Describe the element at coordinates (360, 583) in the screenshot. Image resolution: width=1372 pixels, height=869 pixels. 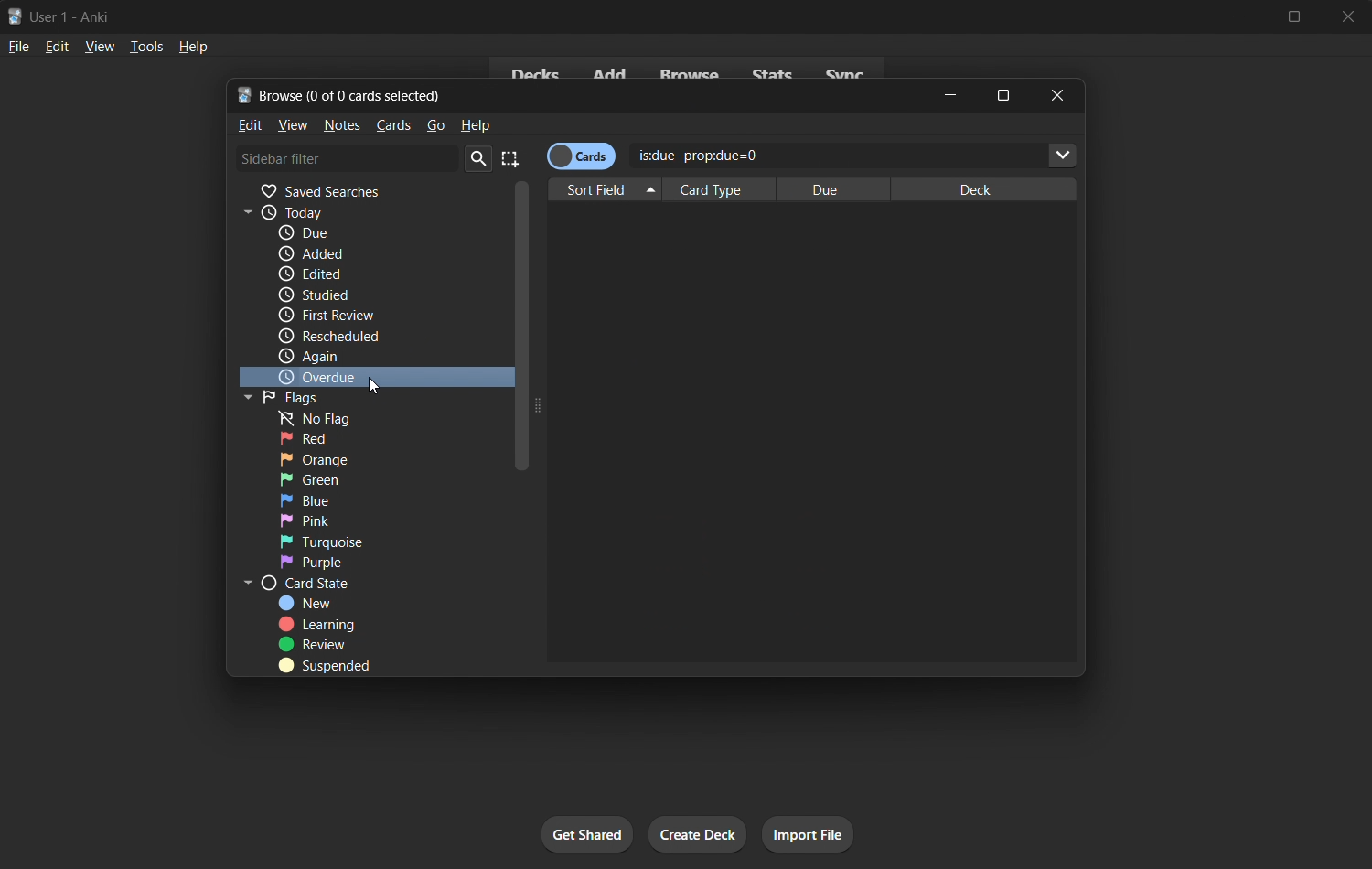
I see `card state ` at that location.